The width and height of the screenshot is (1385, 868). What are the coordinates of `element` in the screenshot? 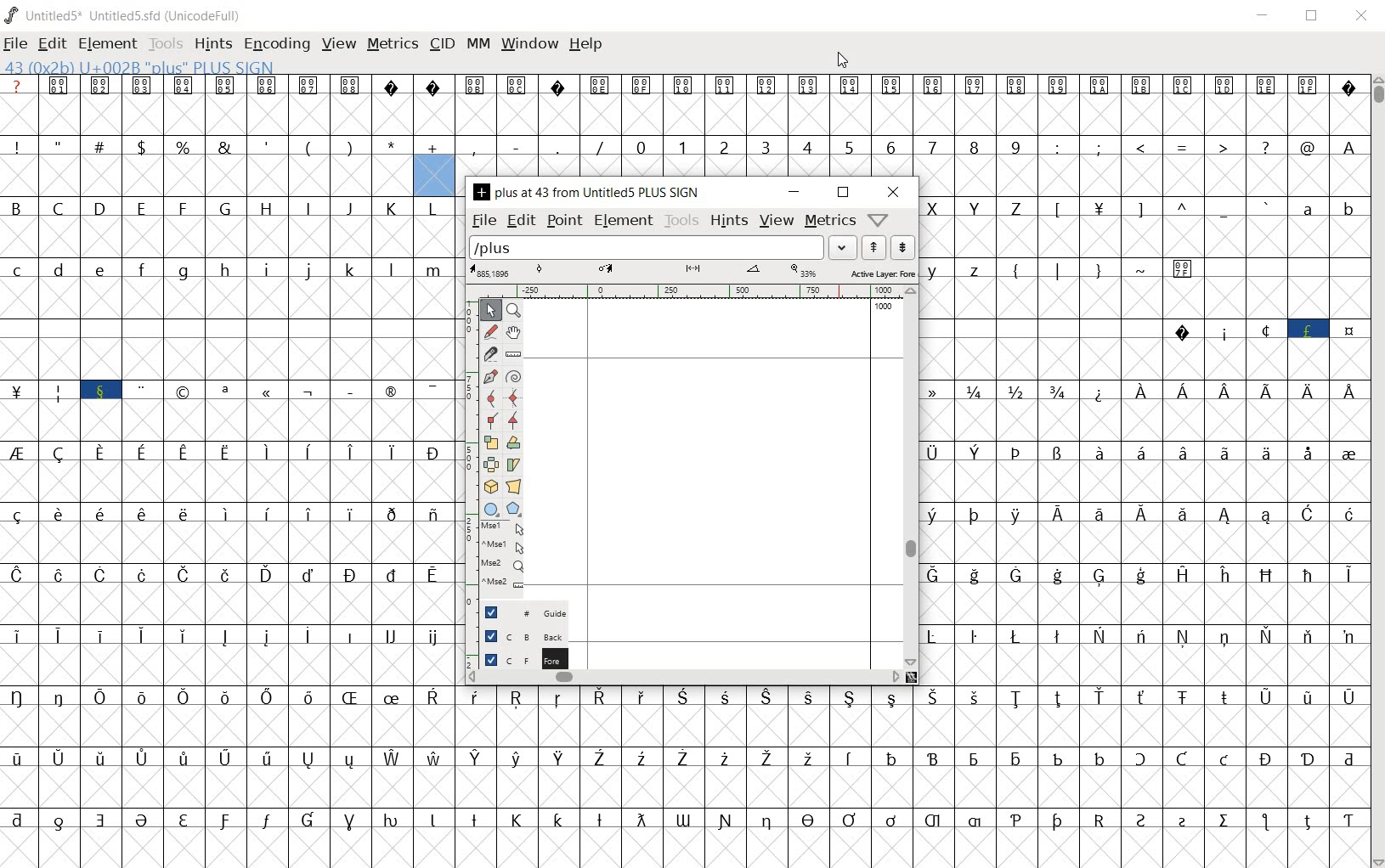 It's located at (105, 41).